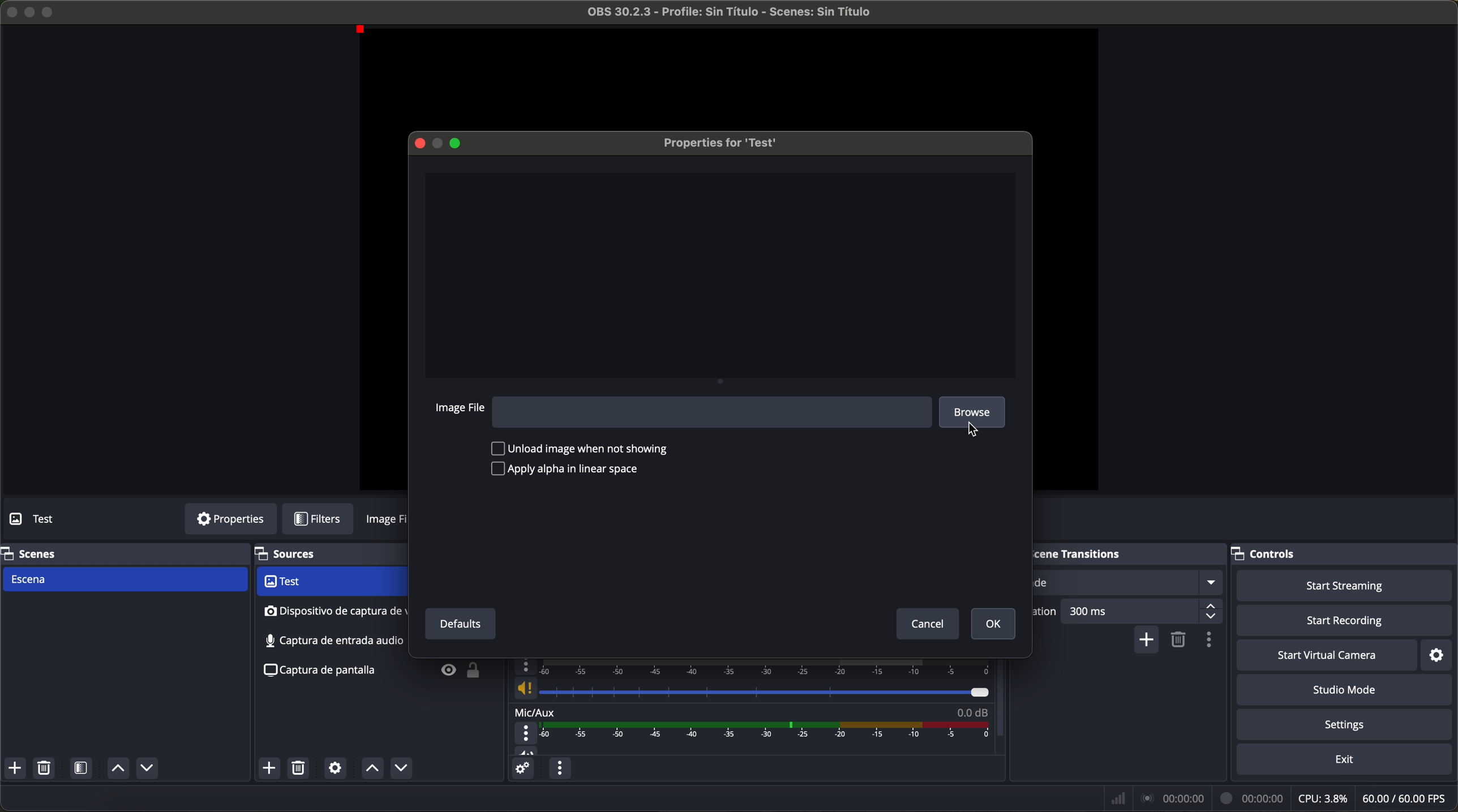  I want to click on remove configurable transition, so click(1180, 641).